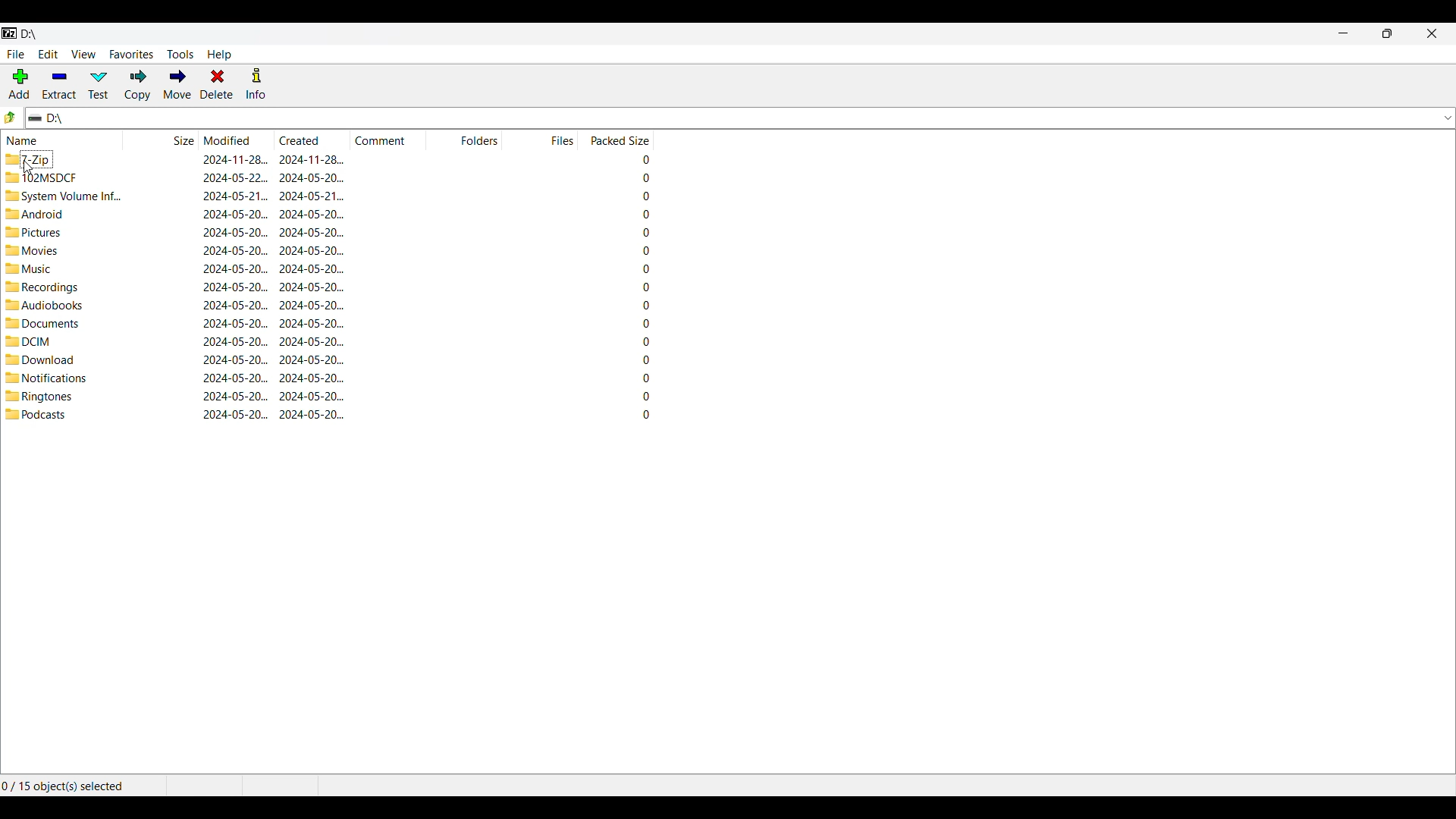 The image size is (1456, 819). What do you see at coordinates (311, 232) in the screenshot?
I see `created date & time` at bounding box center [311, 232].